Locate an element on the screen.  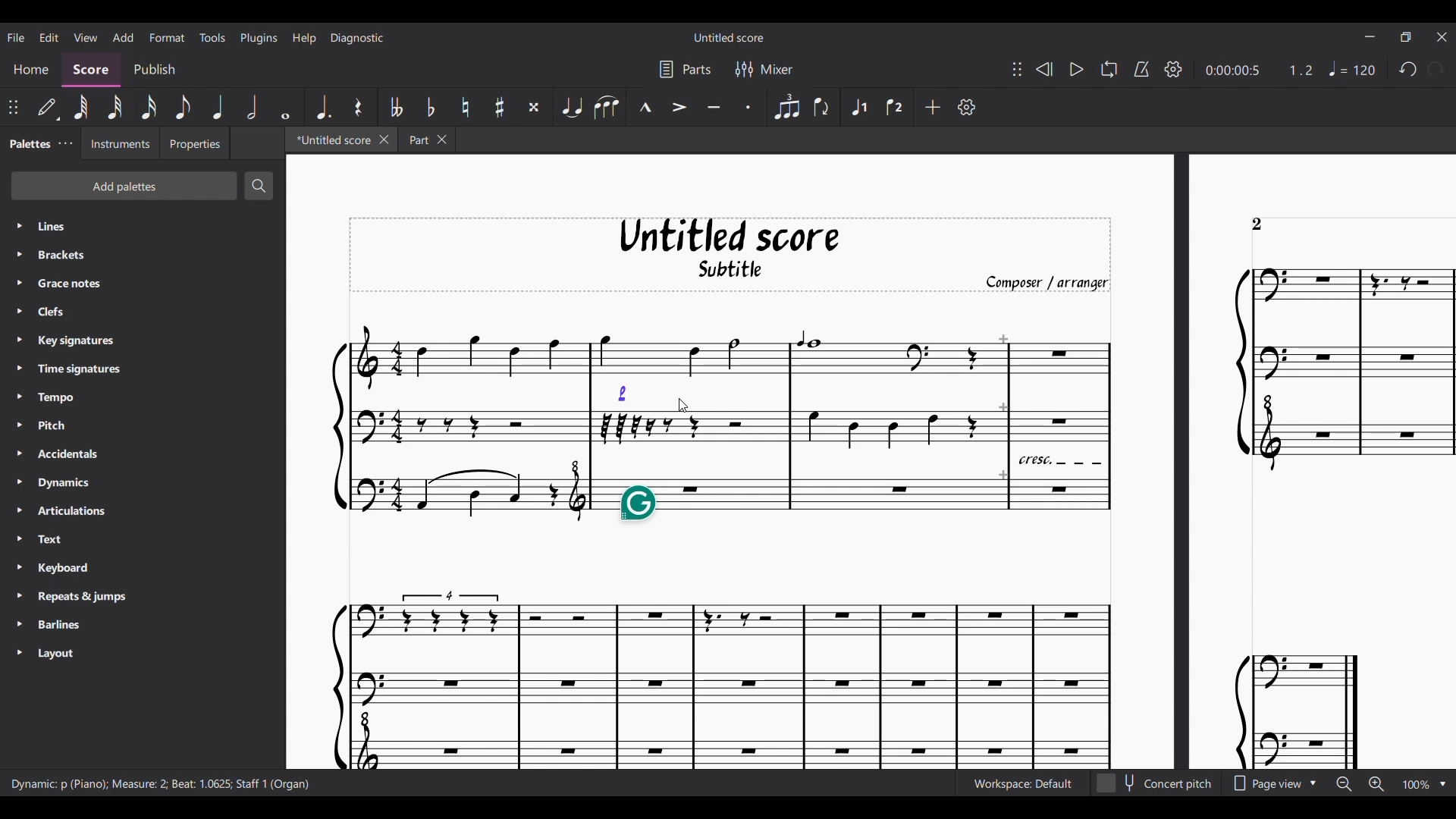
Parts settings is located at coordinates (686, 69).